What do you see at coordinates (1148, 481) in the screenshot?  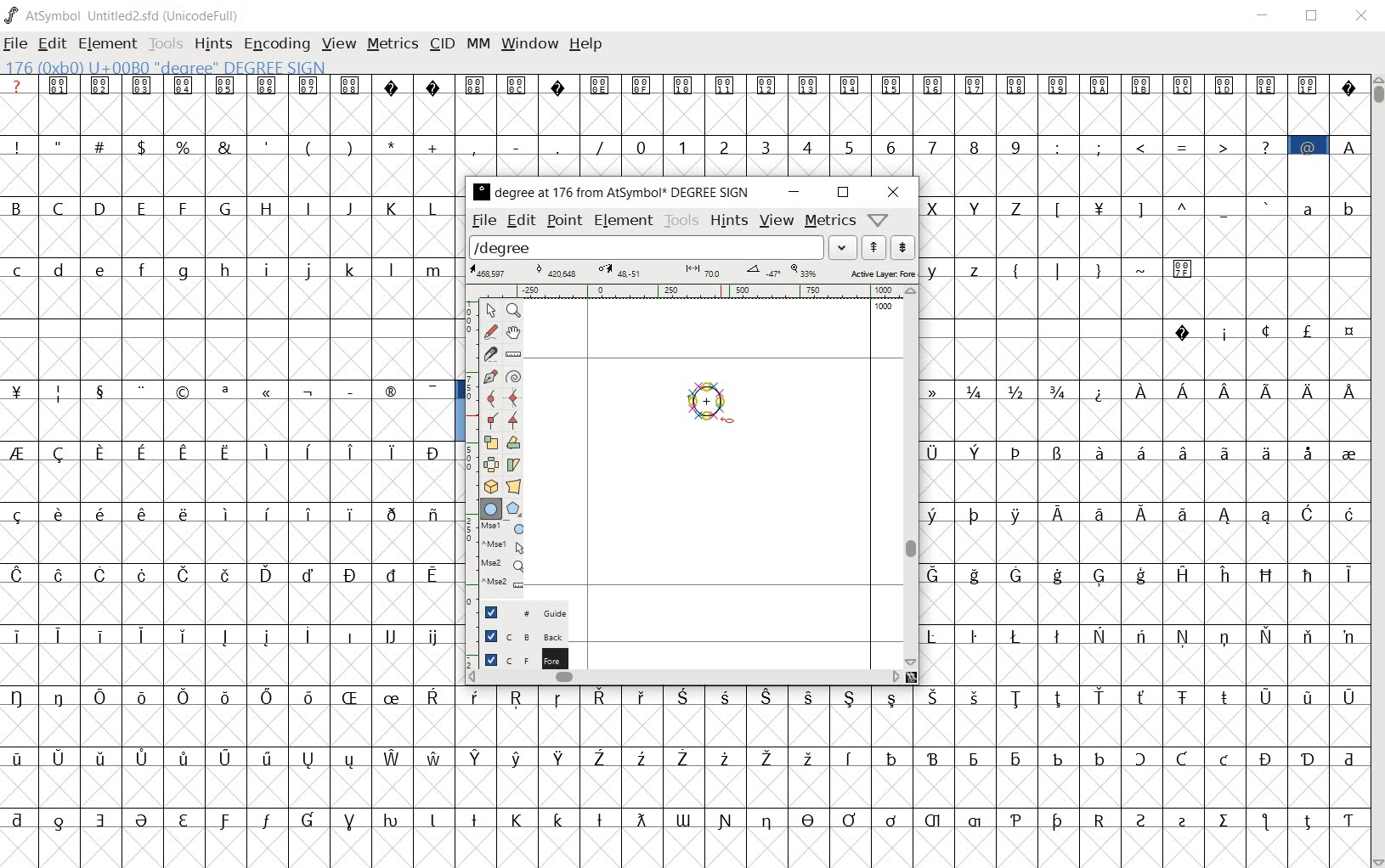 I see `` at bounding box center [1148, 481].